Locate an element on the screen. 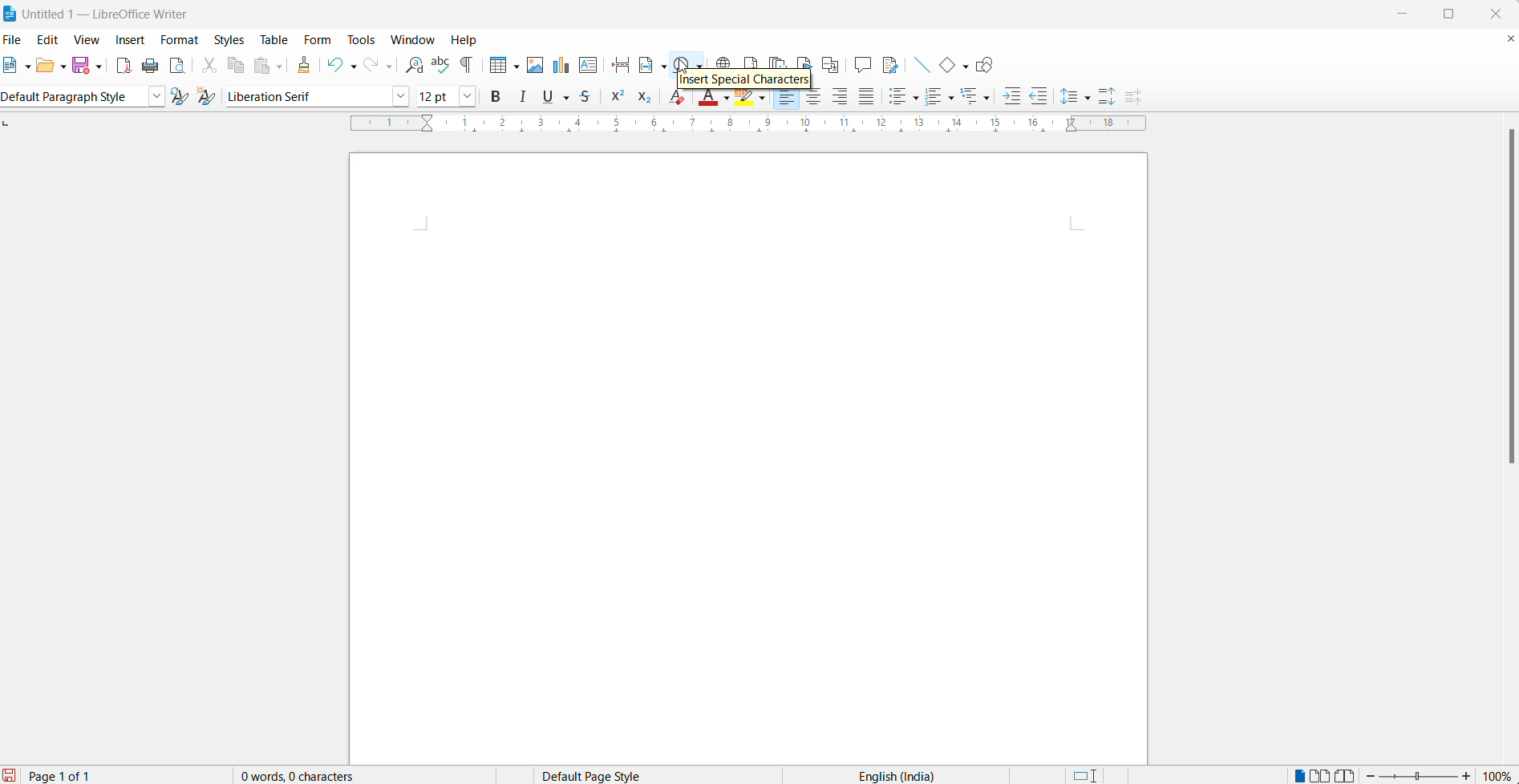  table is located at coordinates (271, 40).